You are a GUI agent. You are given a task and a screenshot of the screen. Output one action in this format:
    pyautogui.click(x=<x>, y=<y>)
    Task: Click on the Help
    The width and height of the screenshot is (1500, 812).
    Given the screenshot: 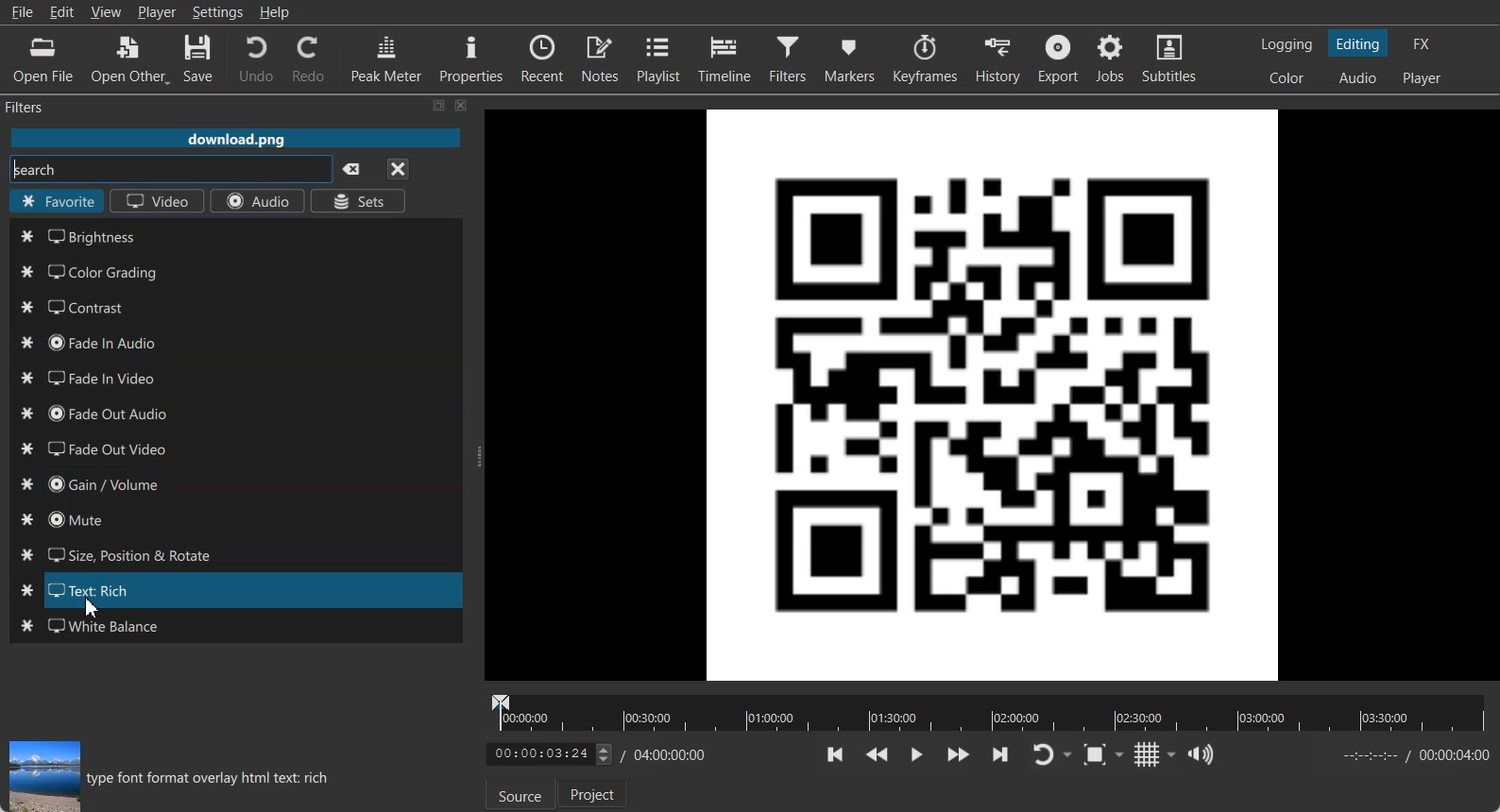 What is the action you would take?
    pyautogui.click(x=275, y=12)
    